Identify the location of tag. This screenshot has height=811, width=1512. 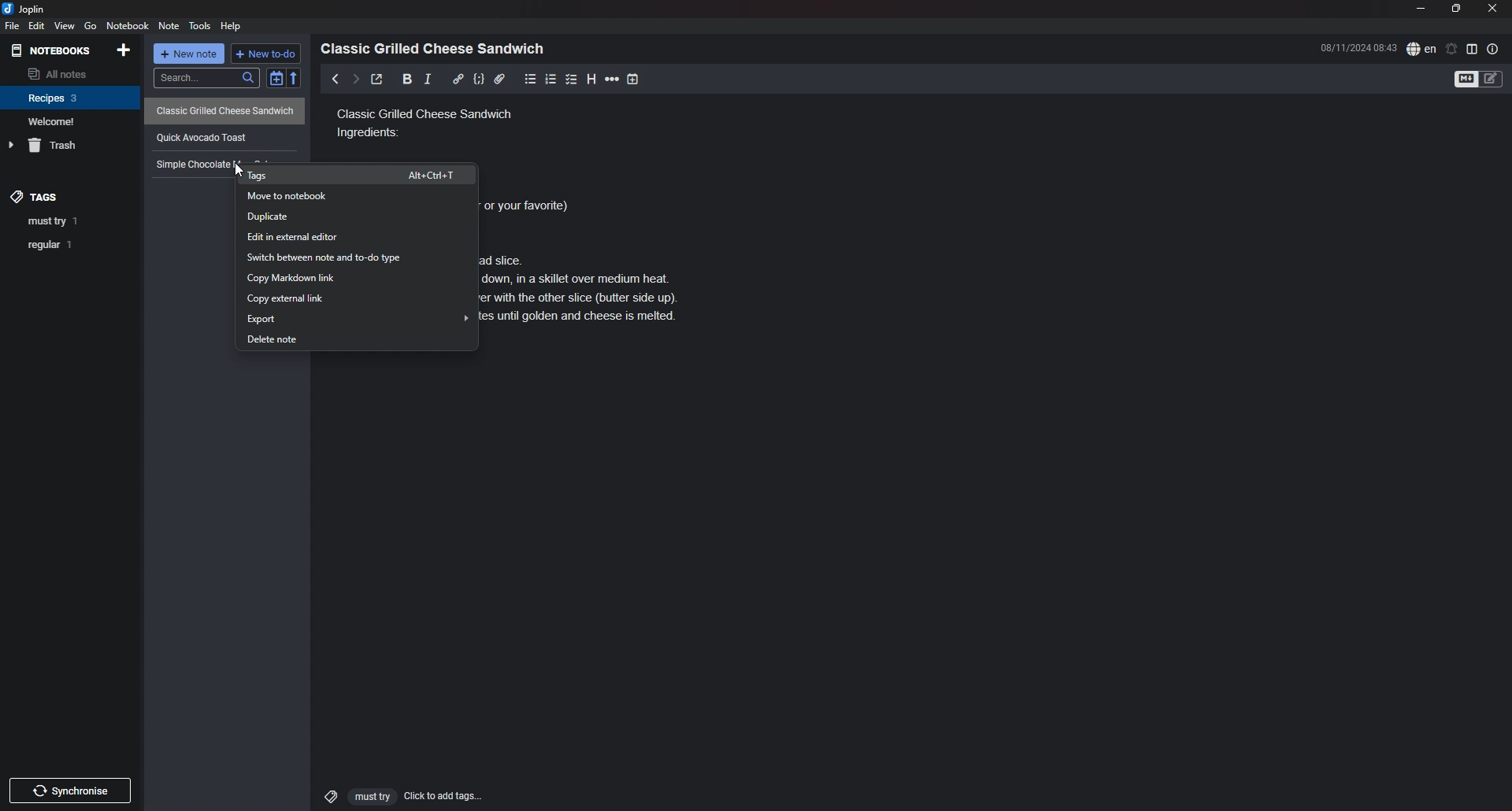
(72, 222).